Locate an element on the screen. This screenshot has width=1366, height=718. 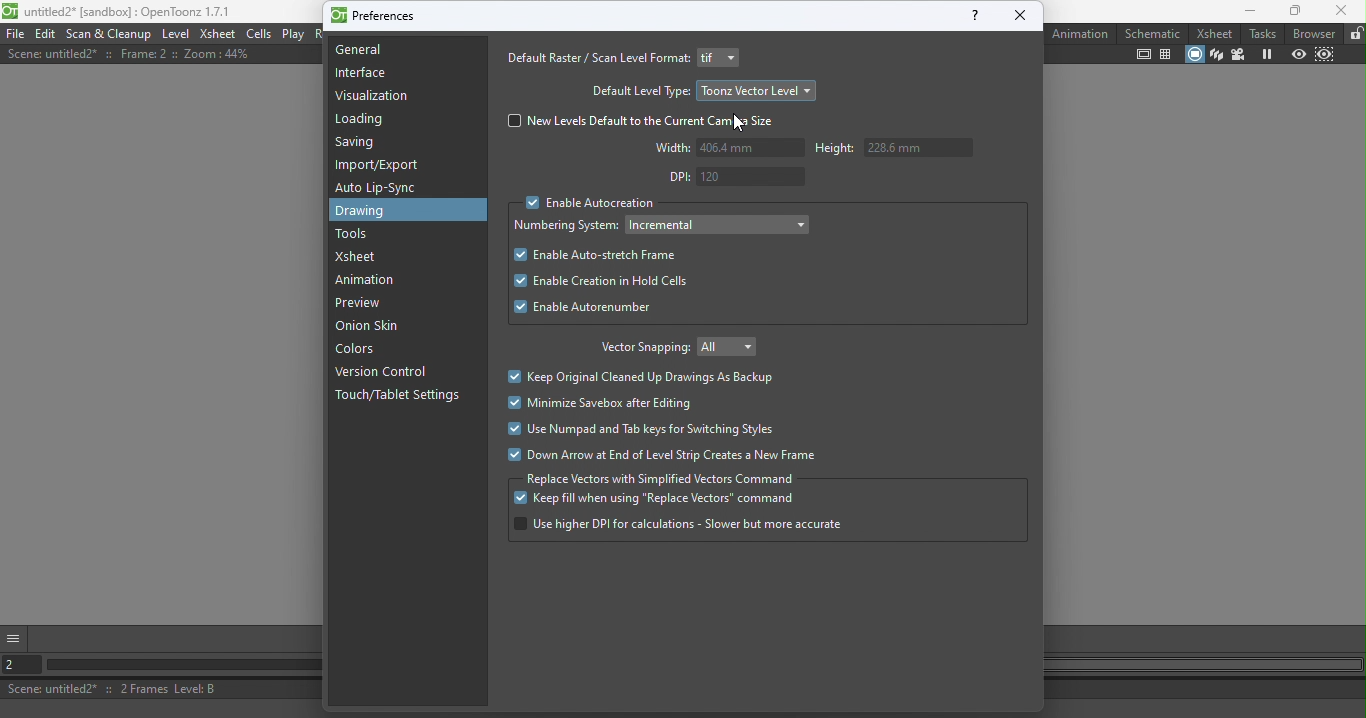
Numbering system is located at coordinates (568, 227).